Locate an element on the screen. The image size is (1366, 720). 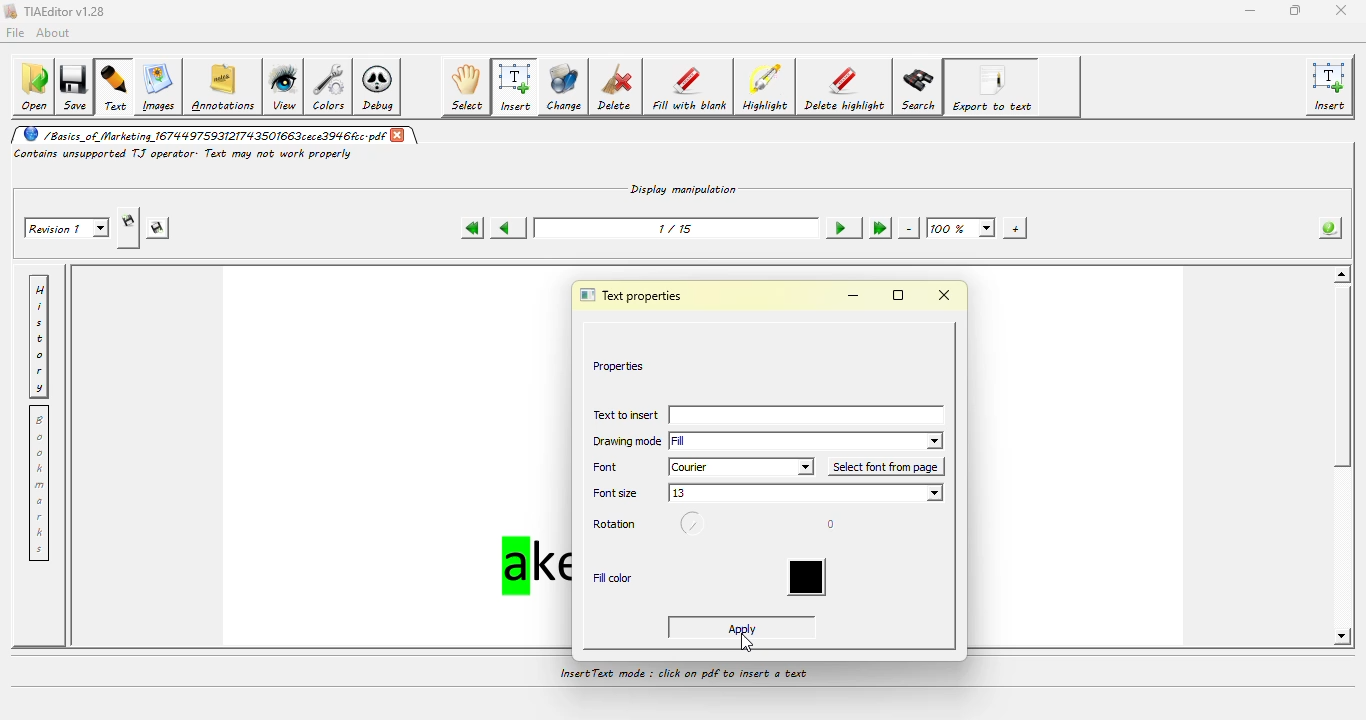
color is located at coordinates (807, 576).